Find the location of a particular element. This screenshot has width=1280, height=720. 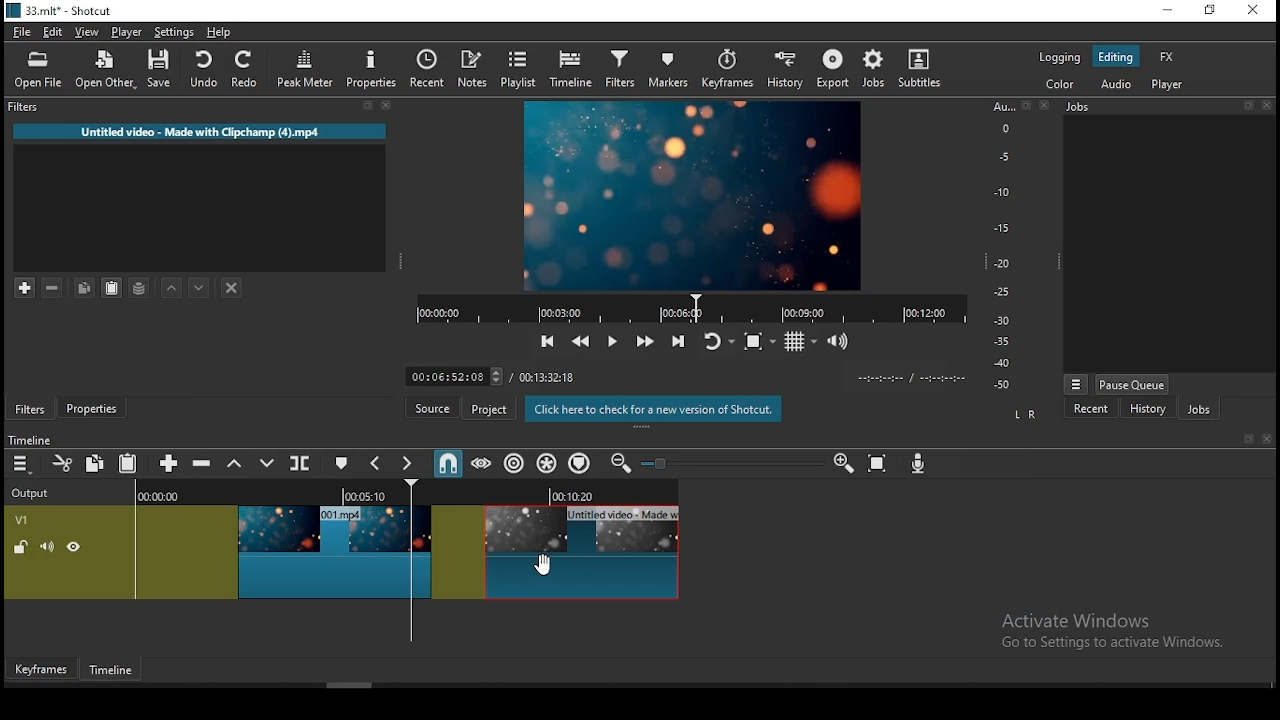

jobs is located at coordinates (871, 70).